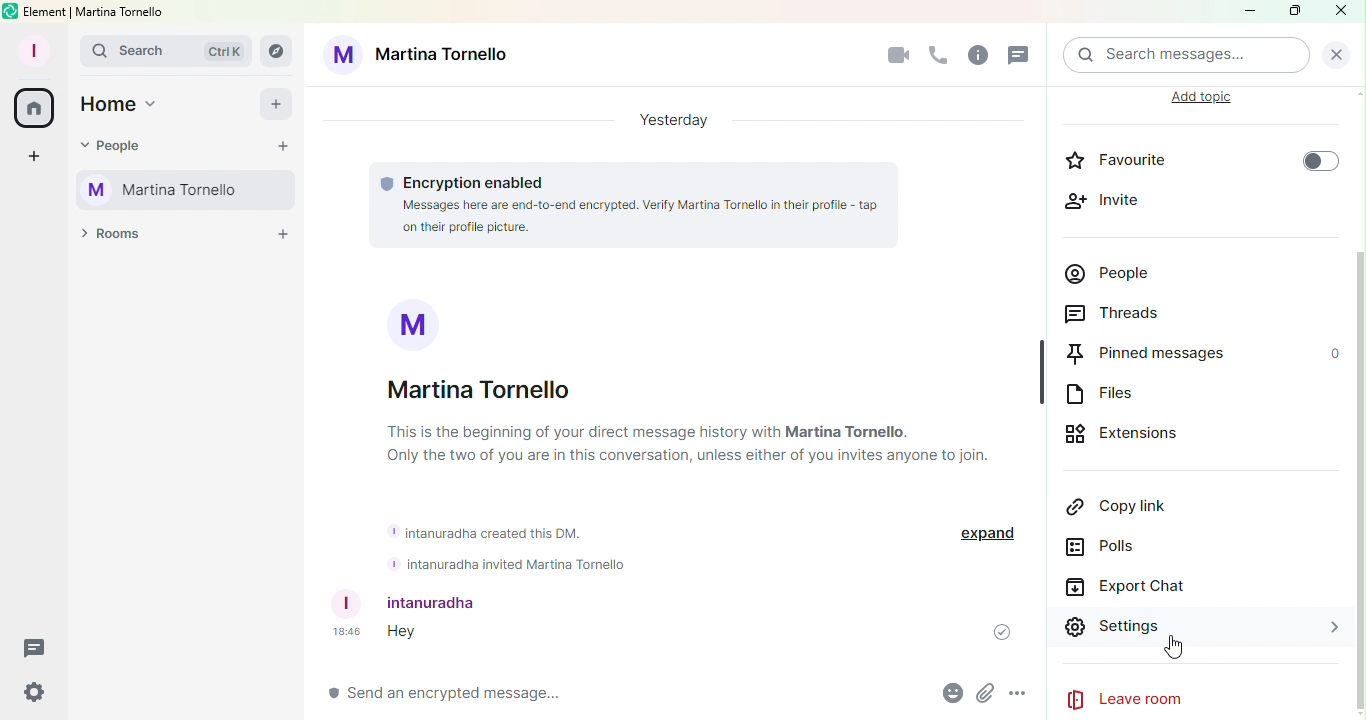 The height and width of the screenshot is (720, 1366). What do you see at coordinates (168, 51) in the screenshot?
I see `Search bar` at bounding box center [168, 51].